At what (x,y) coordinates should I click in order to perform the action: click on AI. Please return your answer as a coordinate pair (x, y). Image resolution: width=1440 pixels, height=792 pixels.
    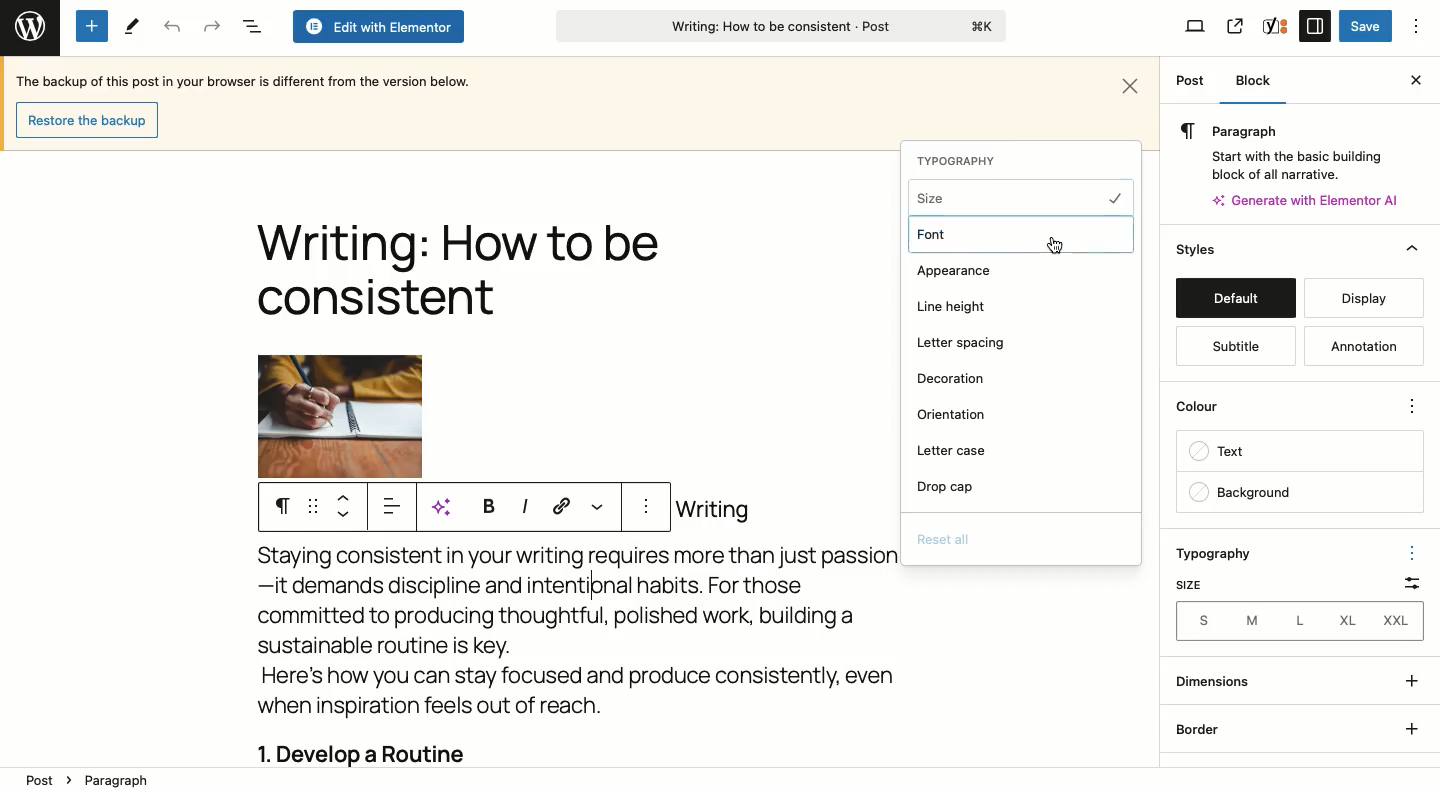
    Looking at the image, I should click on (448, 507).